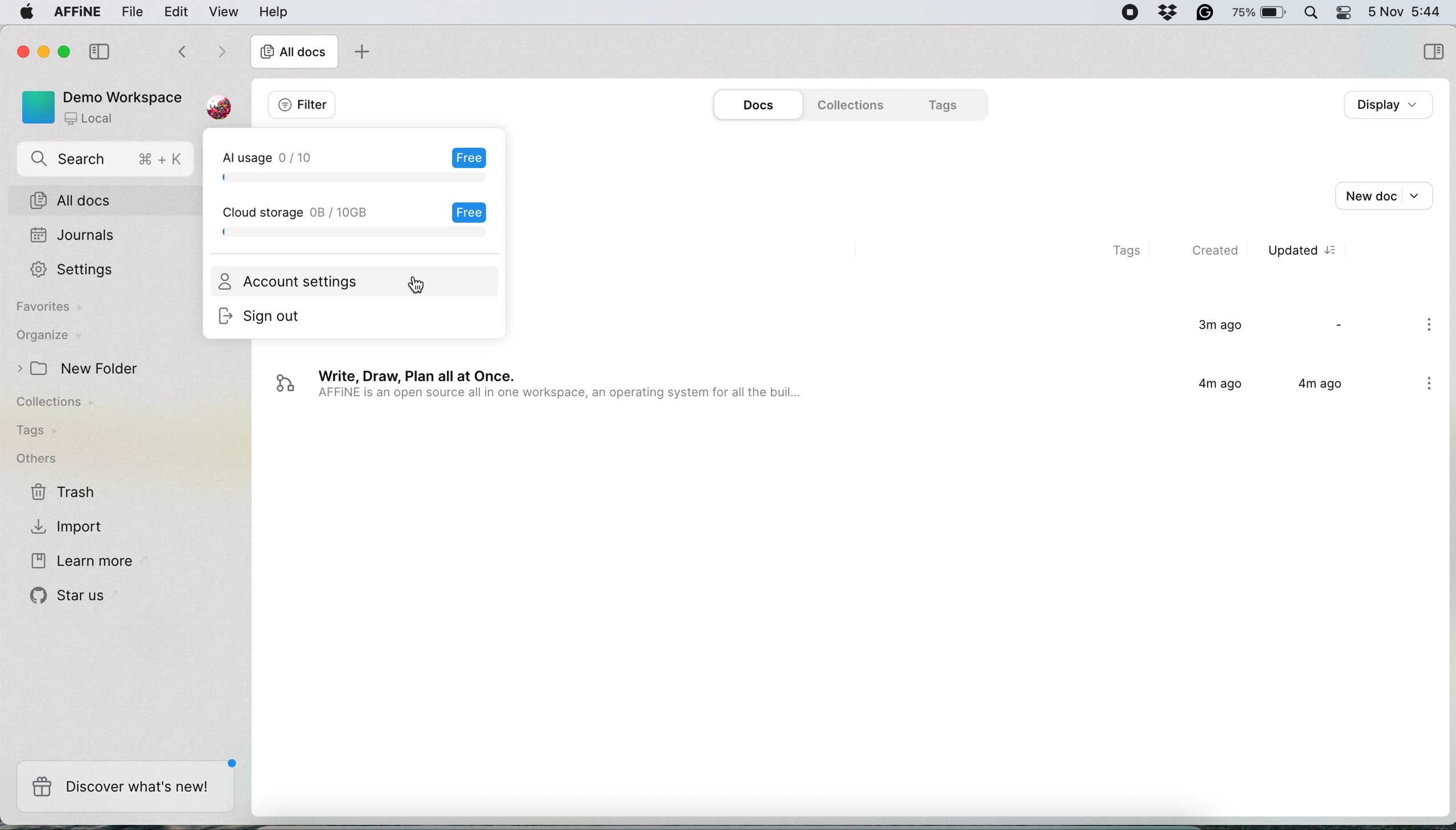 This screenshot has width=1456, height=830. I want to click on add doc, so click(360, 54).